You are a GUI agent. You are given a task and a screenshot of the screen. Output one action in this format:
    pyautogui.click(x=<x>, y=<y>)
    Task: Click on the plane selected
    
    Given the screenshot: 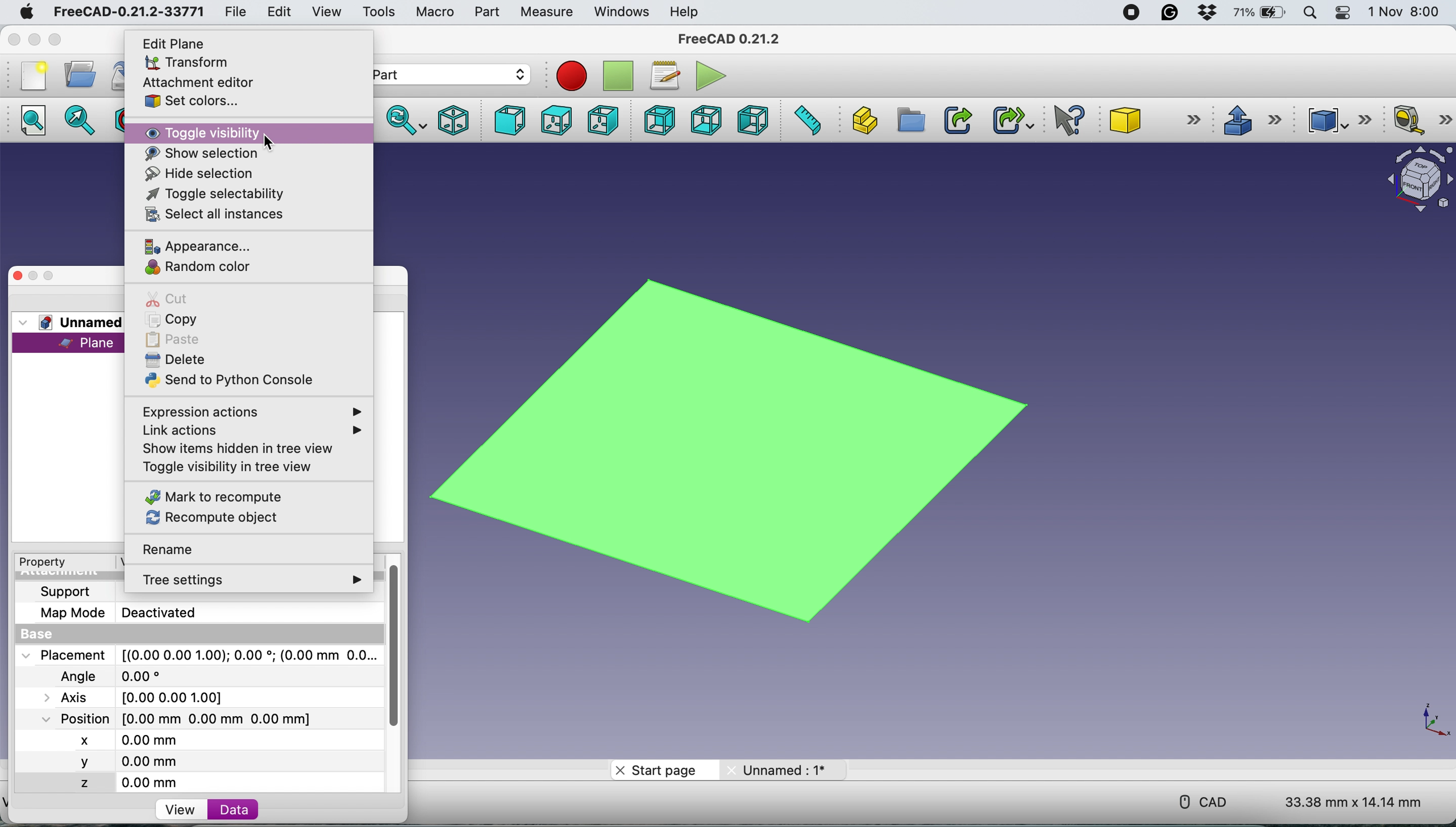 What is the action you would take?
    pyautogui.click(x=70, y=345)
    